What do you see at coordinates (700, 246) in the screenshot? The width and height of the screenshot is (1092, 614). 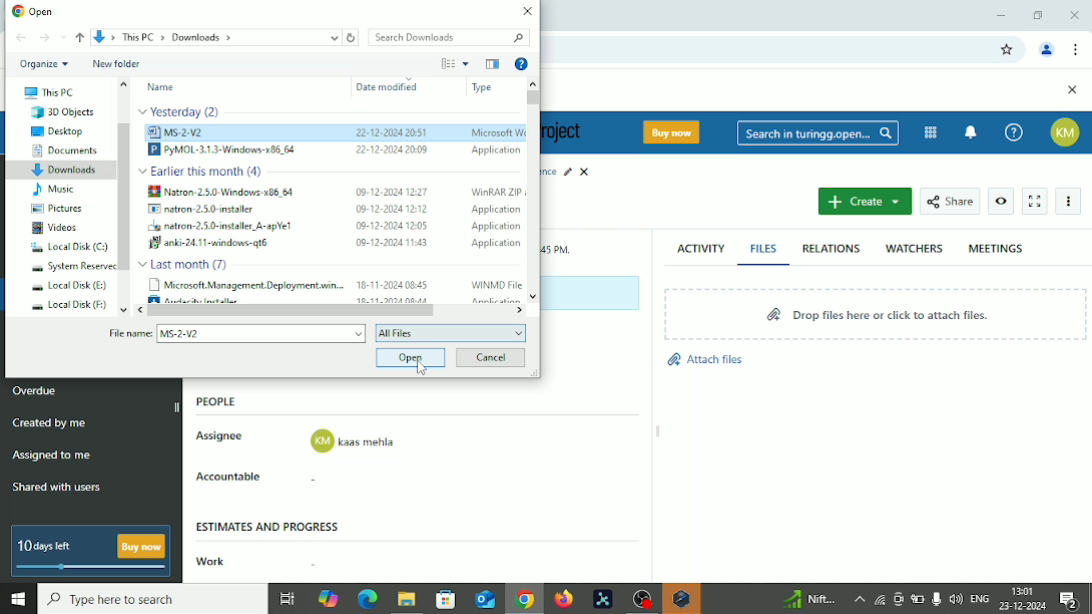 I see `Activity` at bounding box center [700, 246].